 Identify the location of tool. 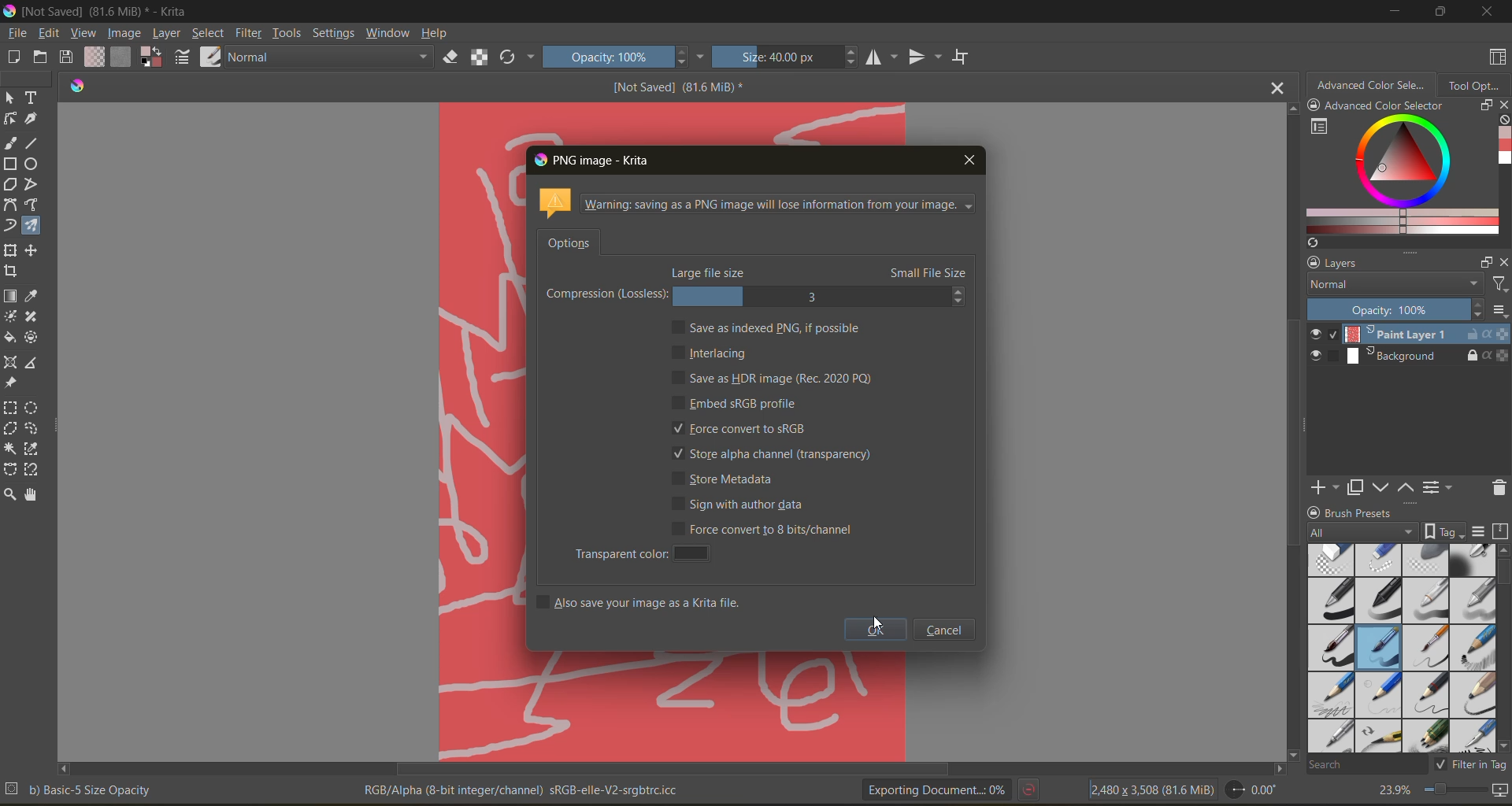
(31, 226).